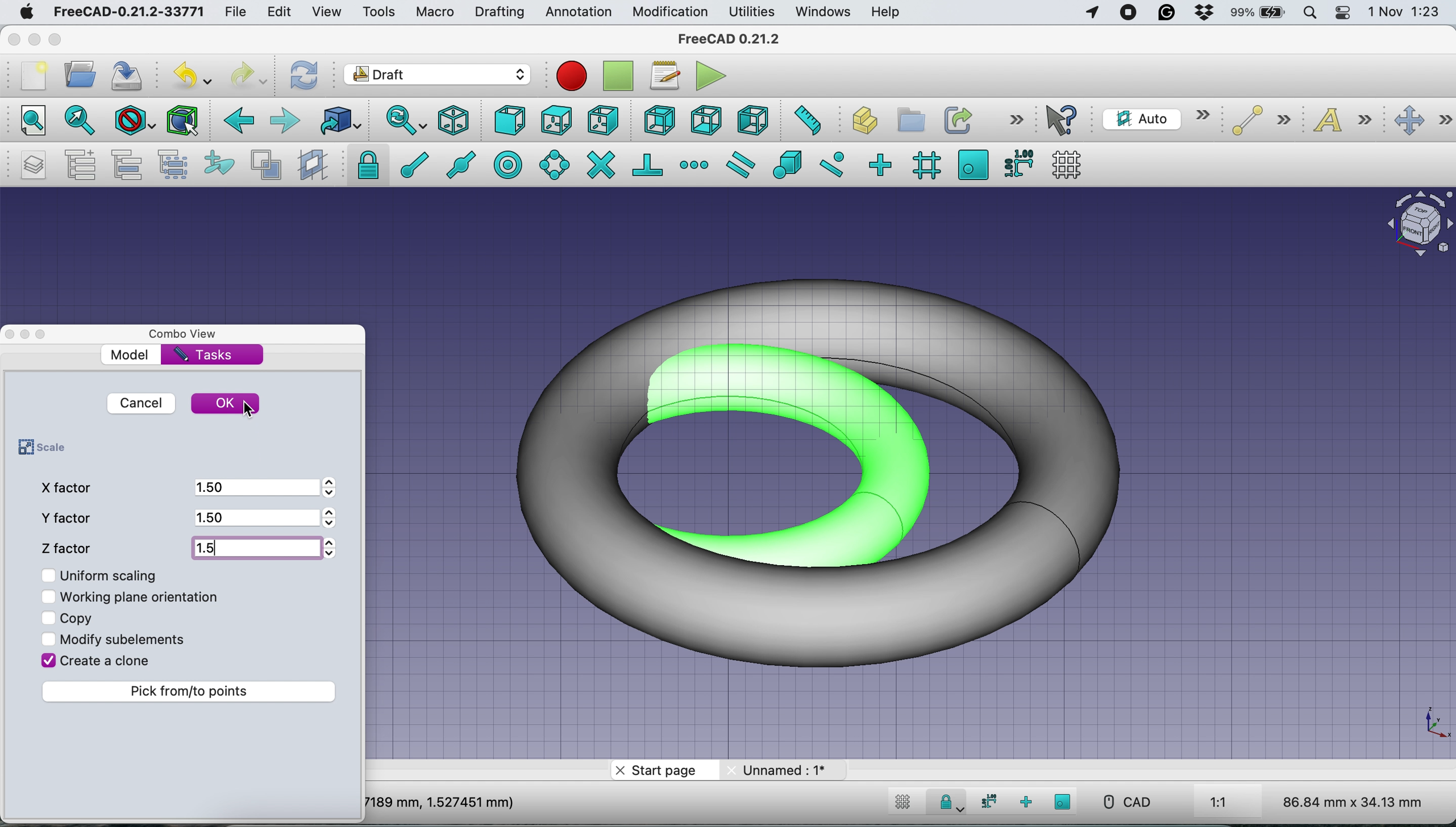 The image size is (1456, 827). Describe the element at coordinates (464, 164) in the screenshot. I see `snap midpoint` at that location.